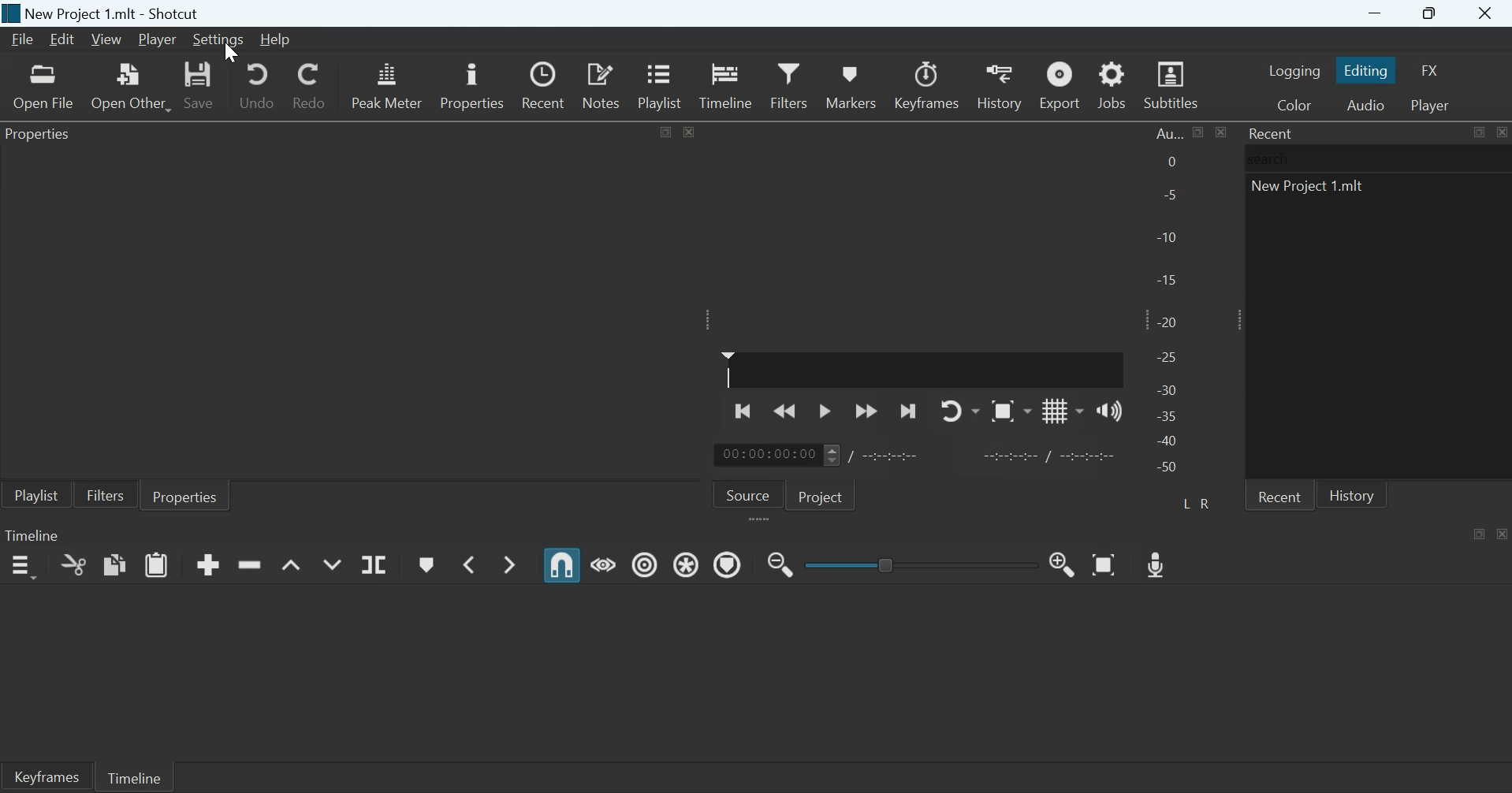 This screenshot has width=1512, height=793. What do you see at coordinates (1352, 494) in the screenshot?
I see `History` at bounding box center [1352, 494].